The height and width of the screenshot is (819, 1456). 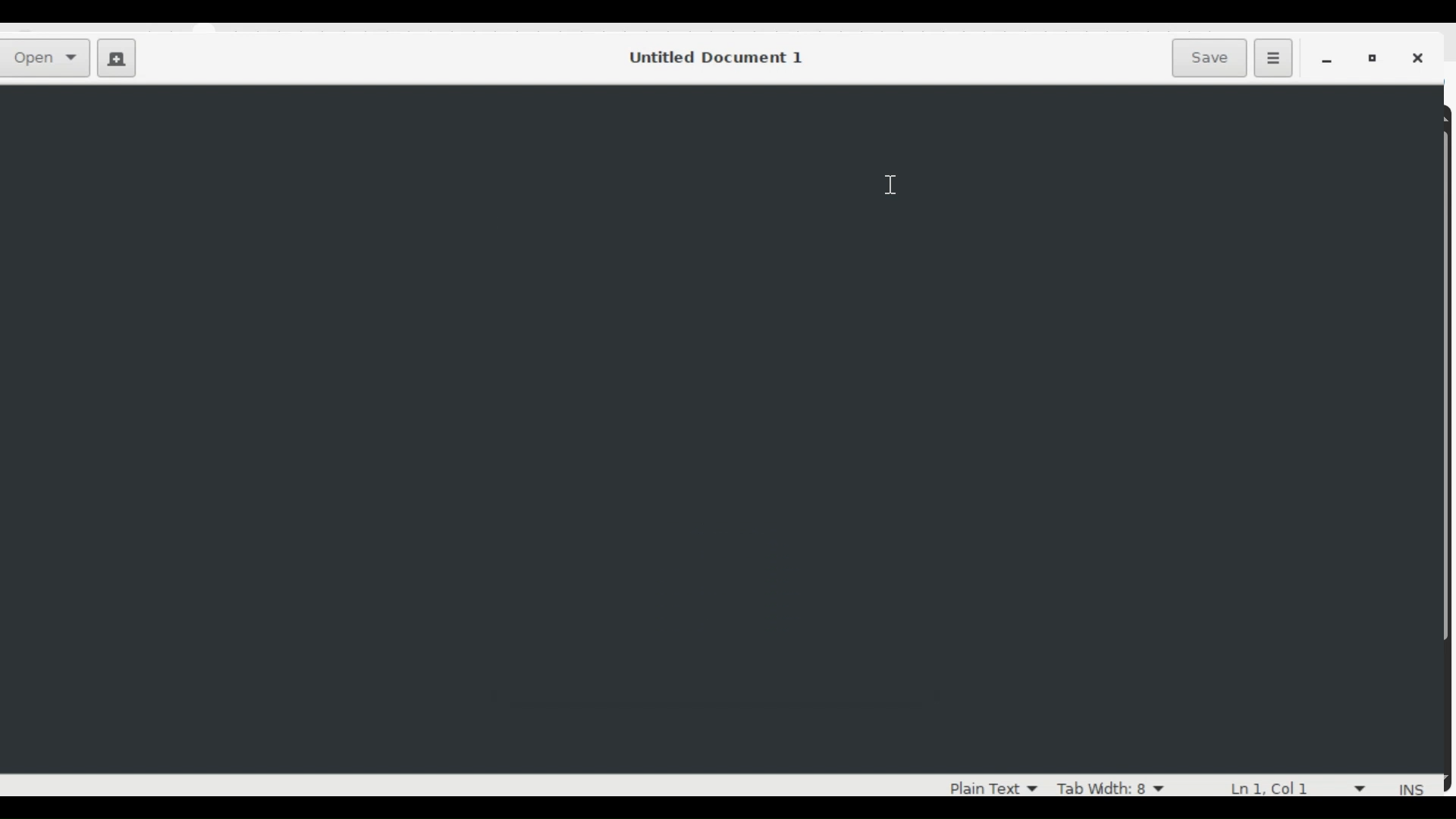 I want to click on Application menu, so click(x=1272, y=57).